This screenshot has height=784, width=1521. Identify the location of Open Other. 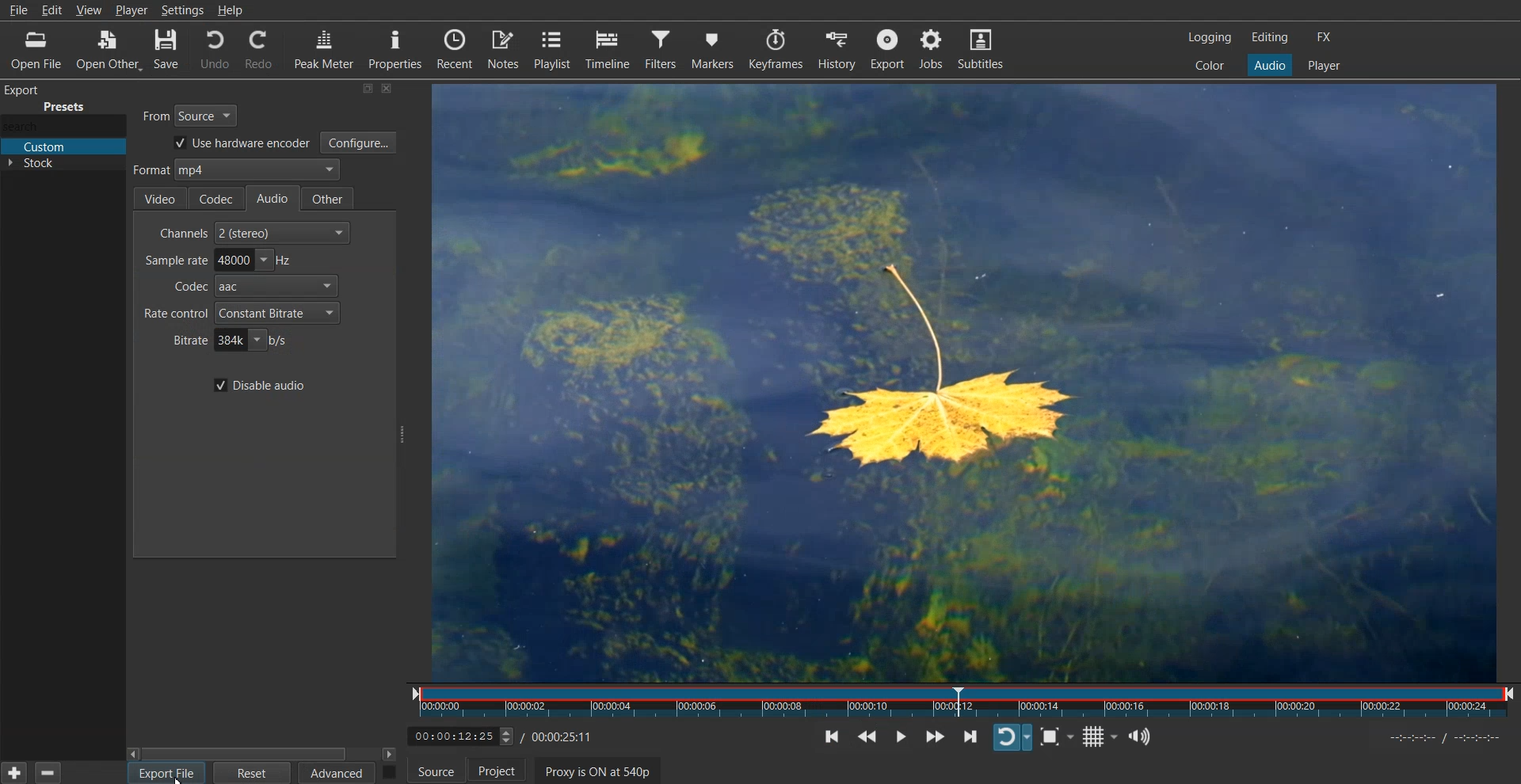
(105, 51).